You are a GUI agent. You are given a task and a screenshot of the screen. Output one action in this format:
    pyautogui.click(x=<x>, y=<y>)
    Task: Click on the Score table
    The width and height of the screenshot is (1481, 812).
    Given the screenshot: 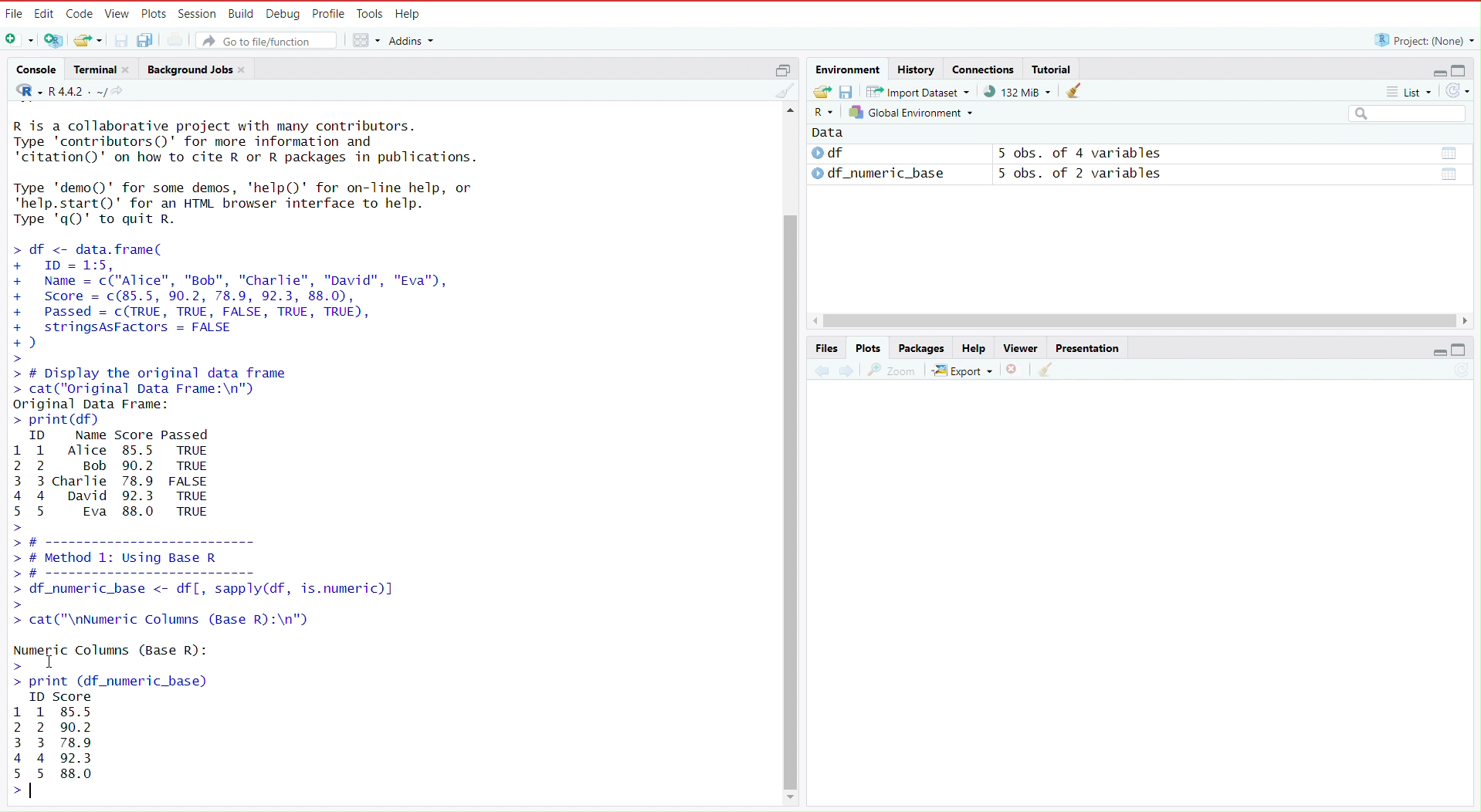 What is the action you would take?
    pyautogui.click(x=54, y=736)
    